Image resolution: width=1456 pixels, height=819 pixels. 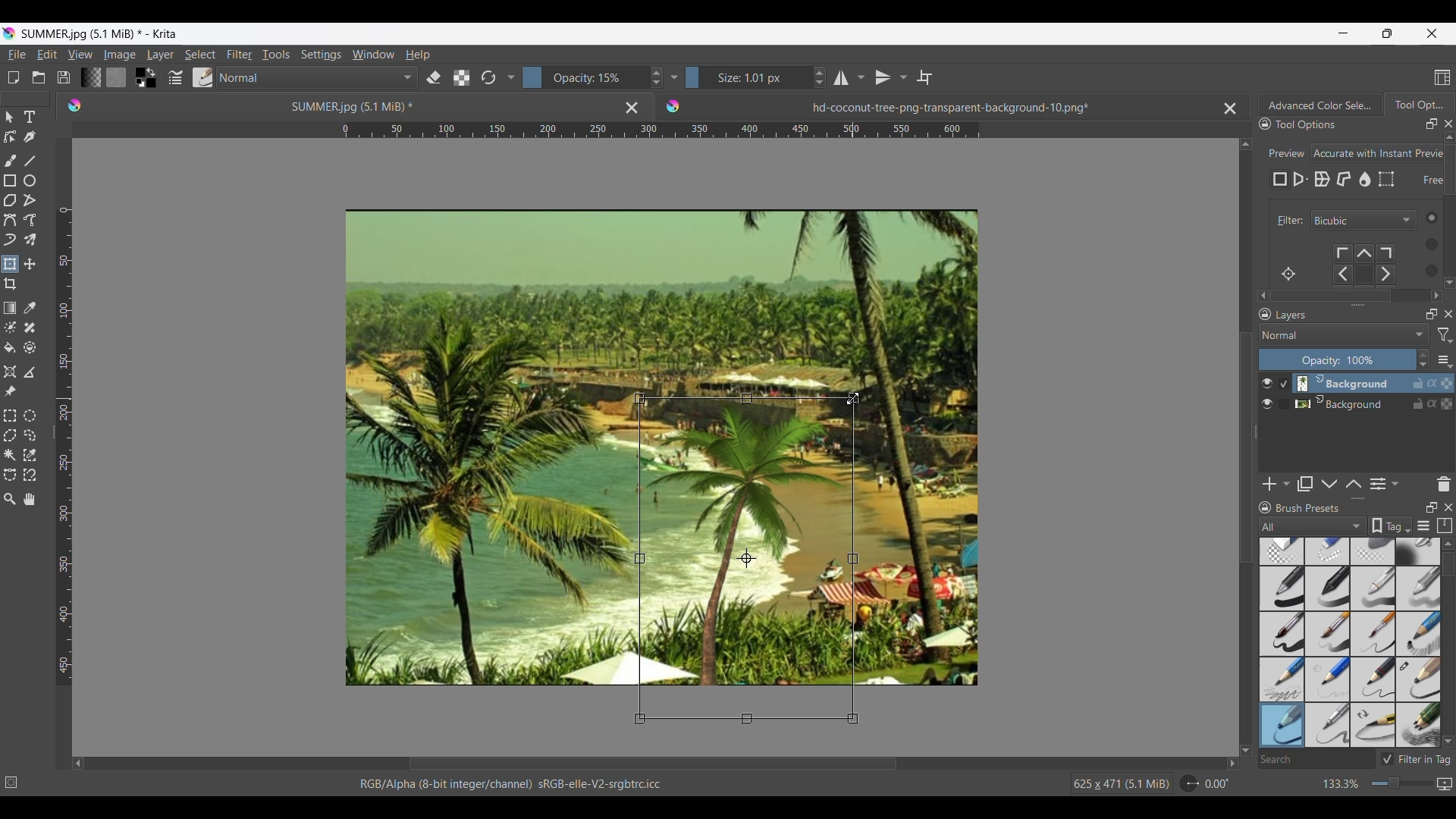 I want to click on Dynamic brush tool, so click(x=10, y=240).